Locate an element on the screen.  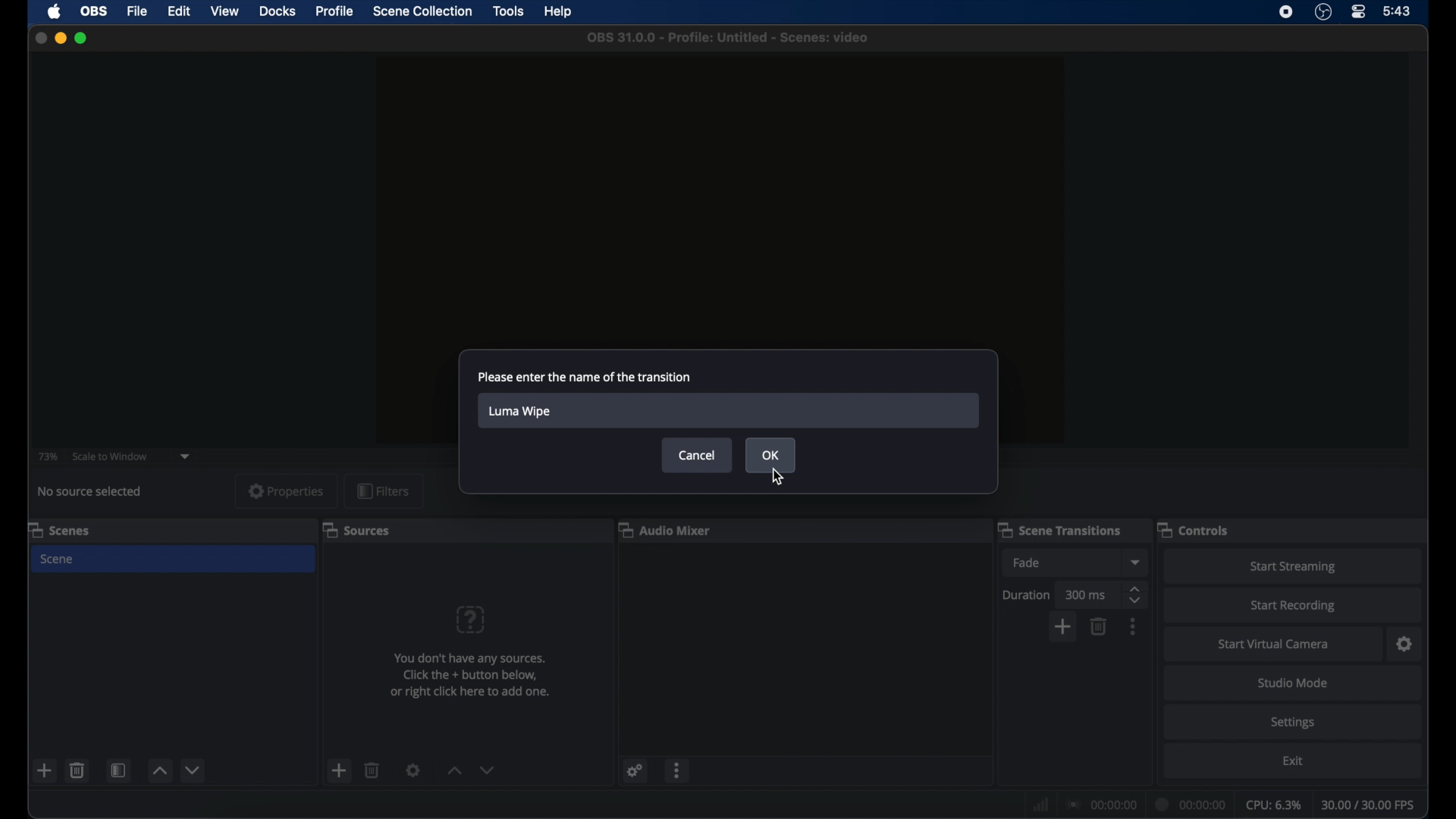
luma wipe is located at coordinates (520, 411).